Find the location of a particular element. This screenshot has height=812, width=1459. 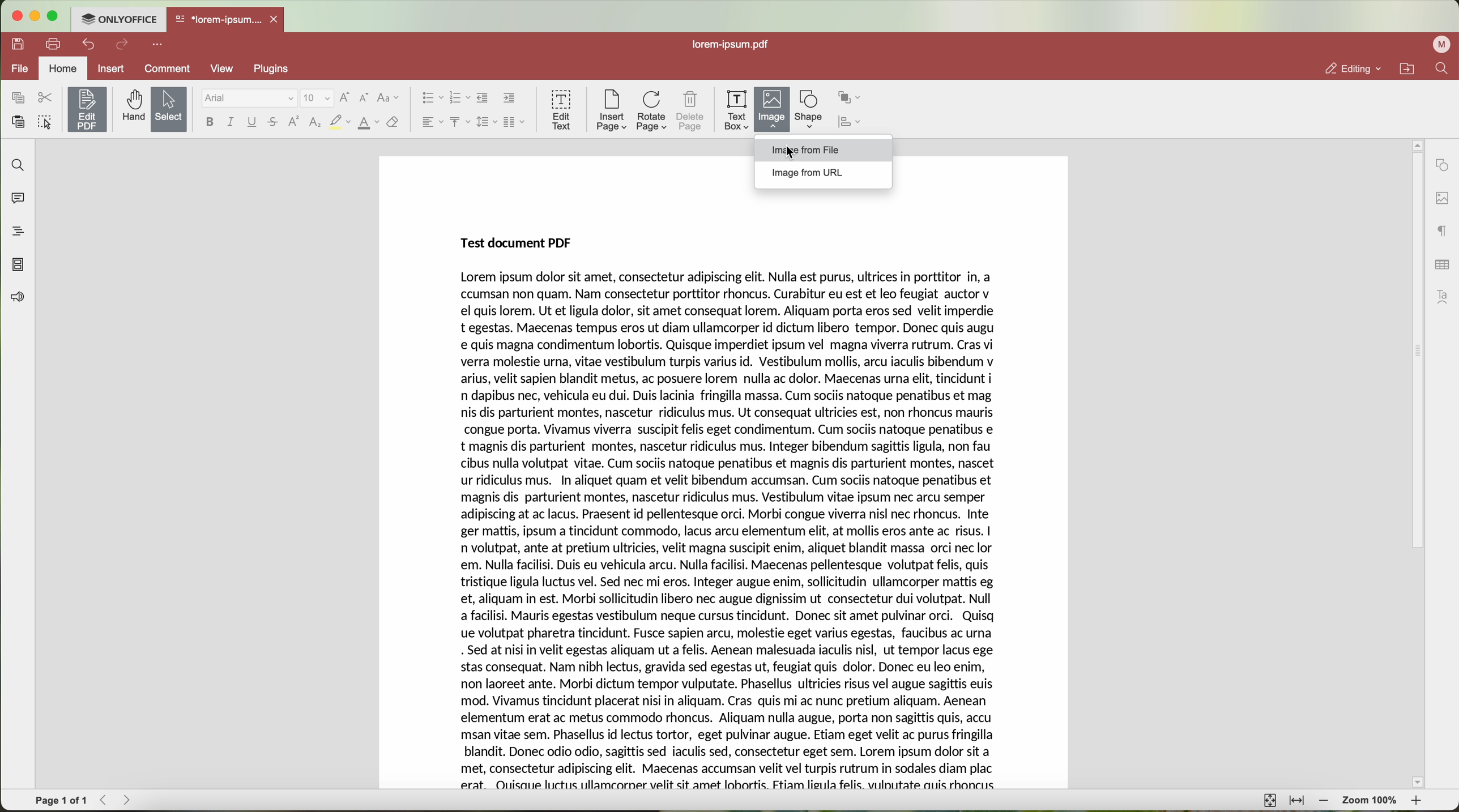

cut is located at coordinates (45, 98).